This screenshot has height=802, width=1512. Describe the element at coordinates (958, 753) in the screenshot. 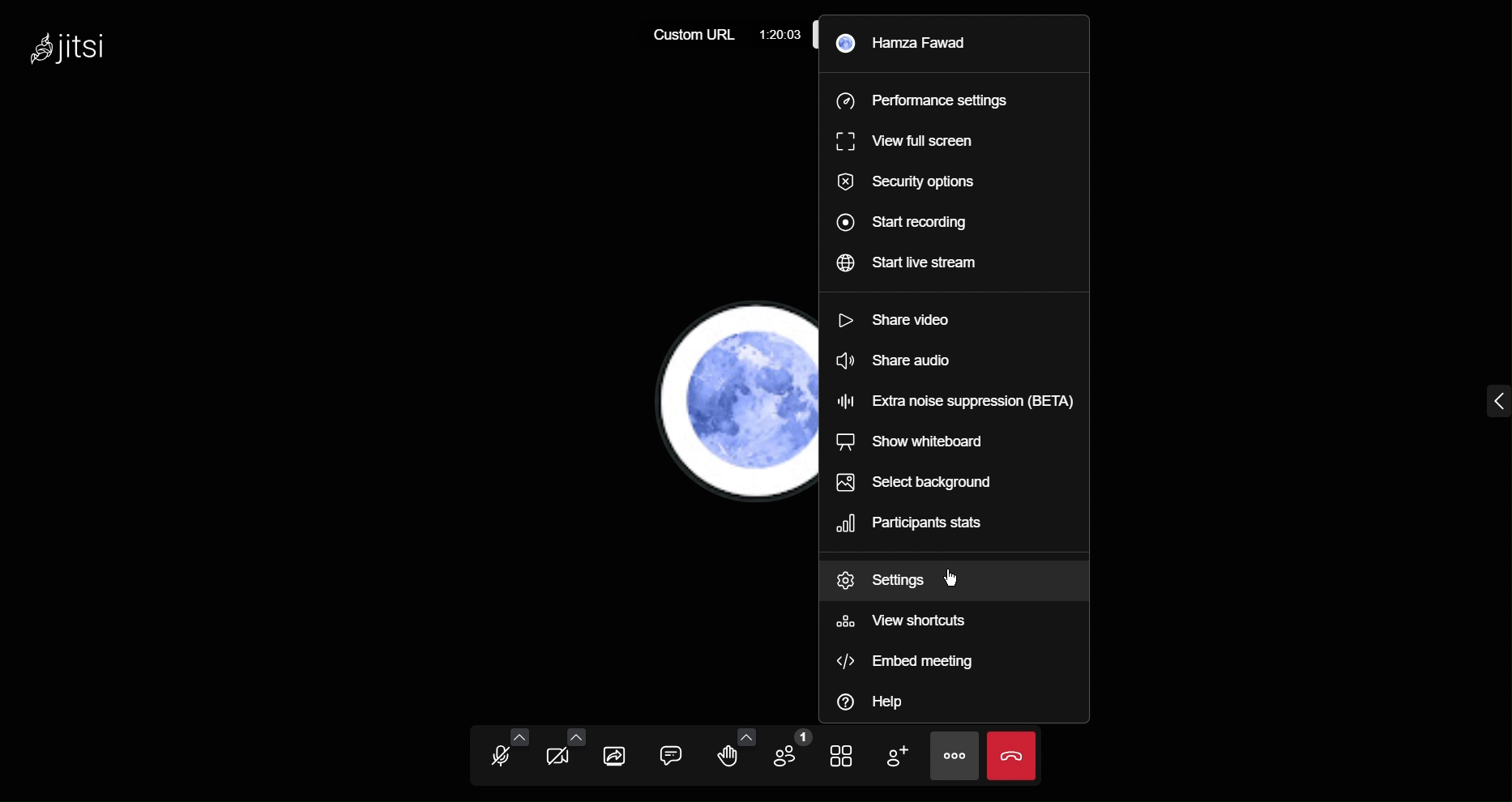

I see `More` at that location.